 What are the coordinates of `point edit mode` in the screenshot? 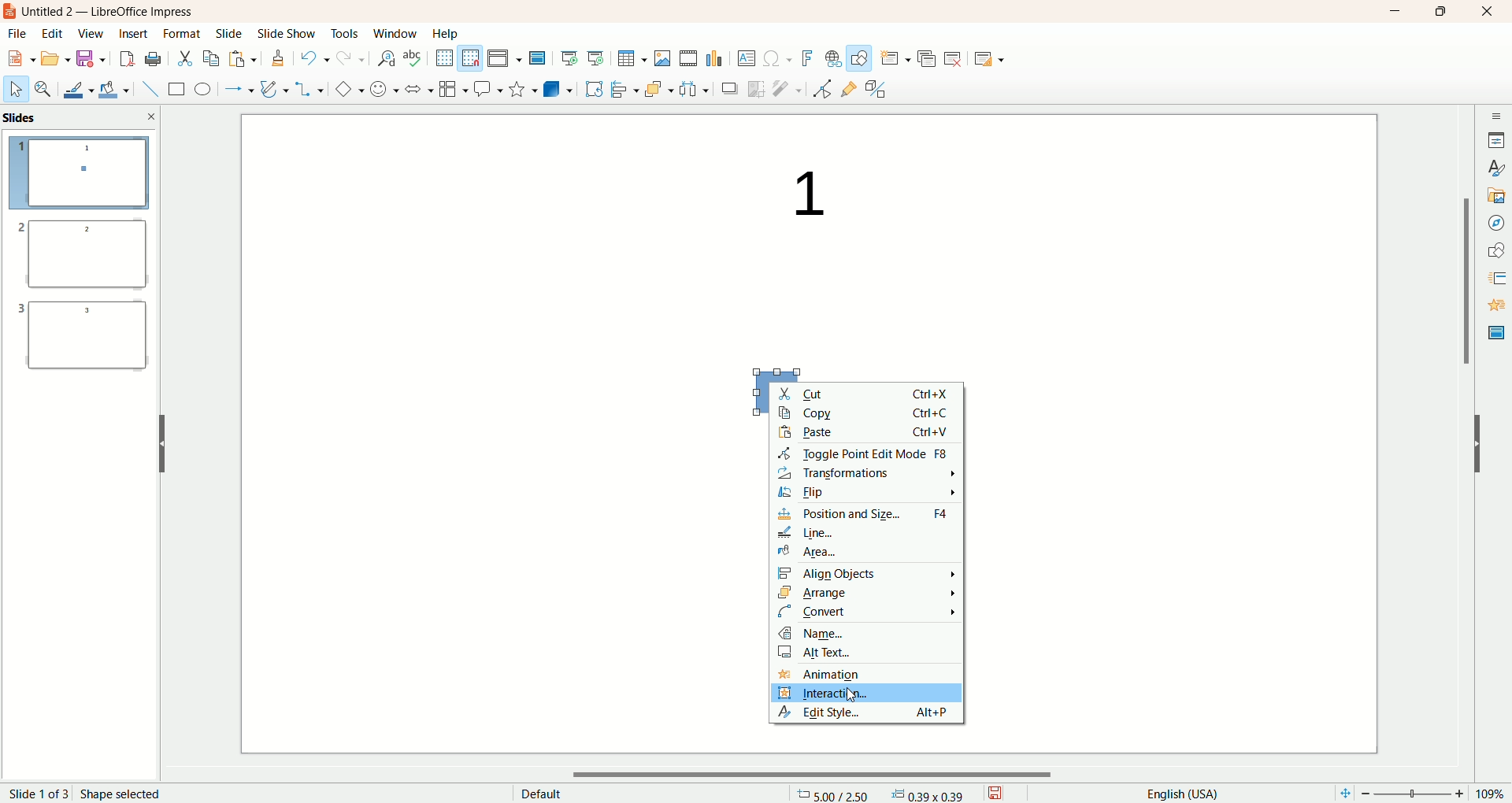 It's located at (821, 89).